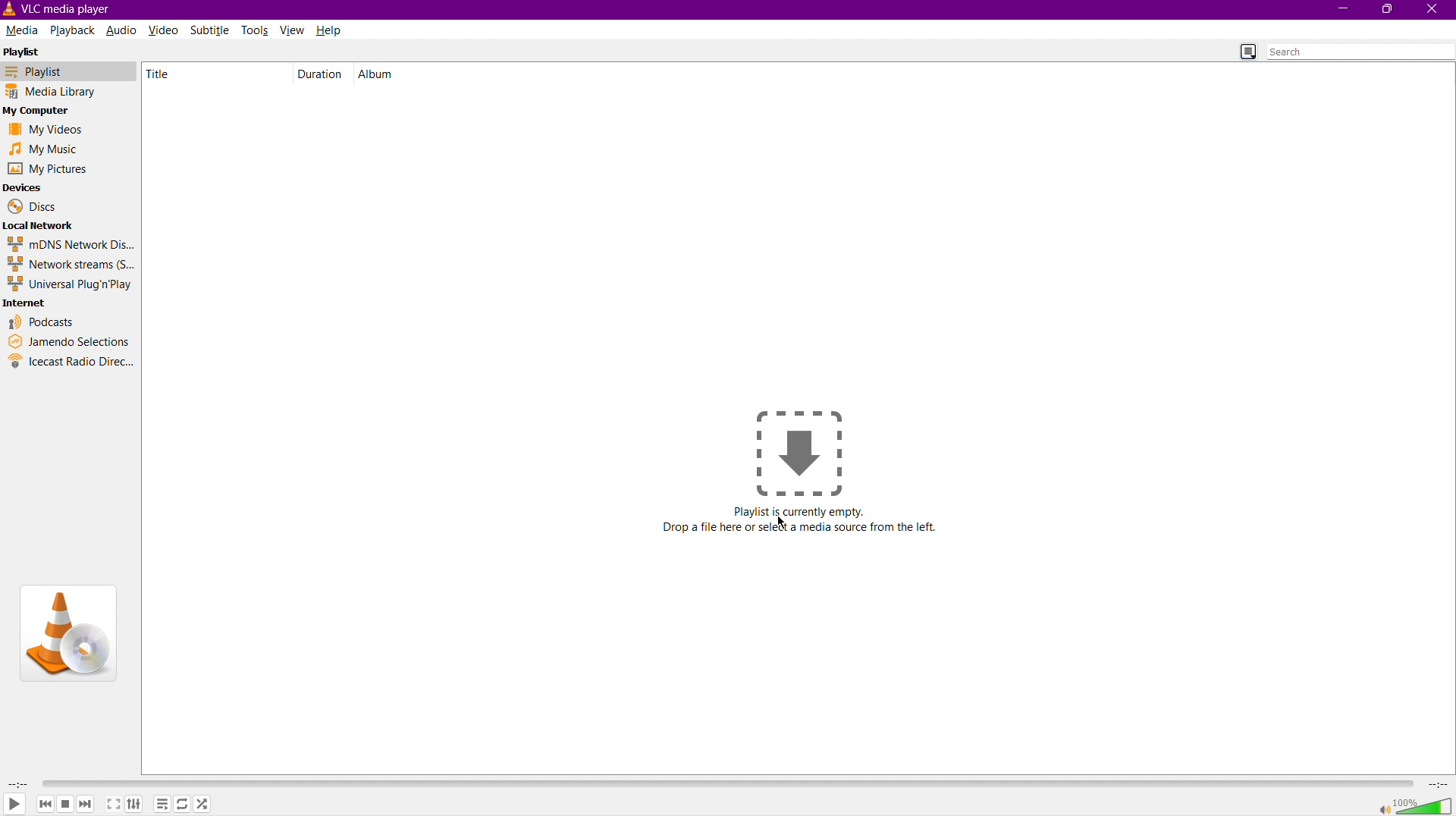  Describe the element at coordinates (22, 31) in the screenshot. I see `Media` at that location.